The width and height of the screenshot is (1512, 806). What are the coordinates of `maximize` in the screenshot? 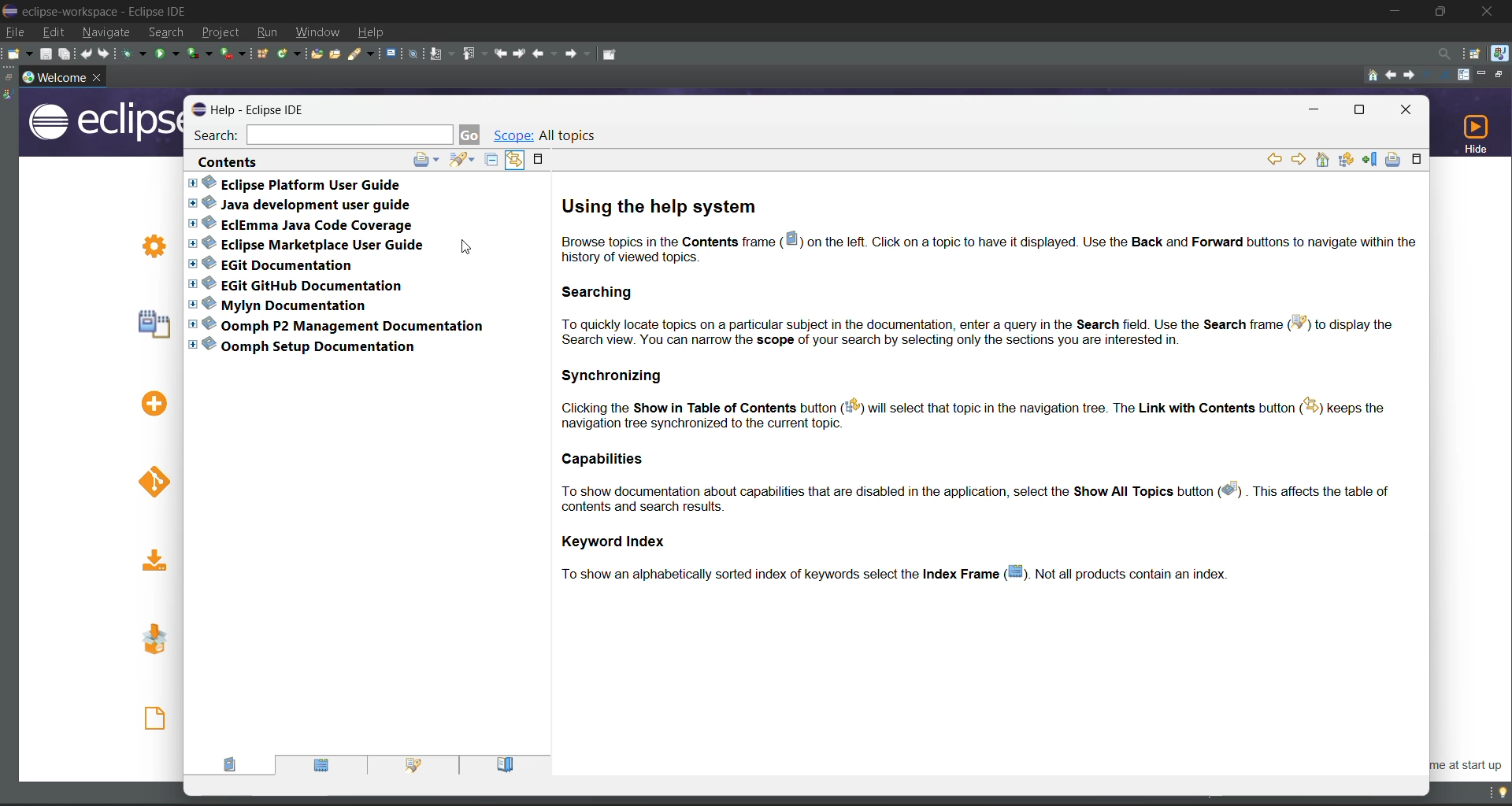 It's located at (1417, 161).